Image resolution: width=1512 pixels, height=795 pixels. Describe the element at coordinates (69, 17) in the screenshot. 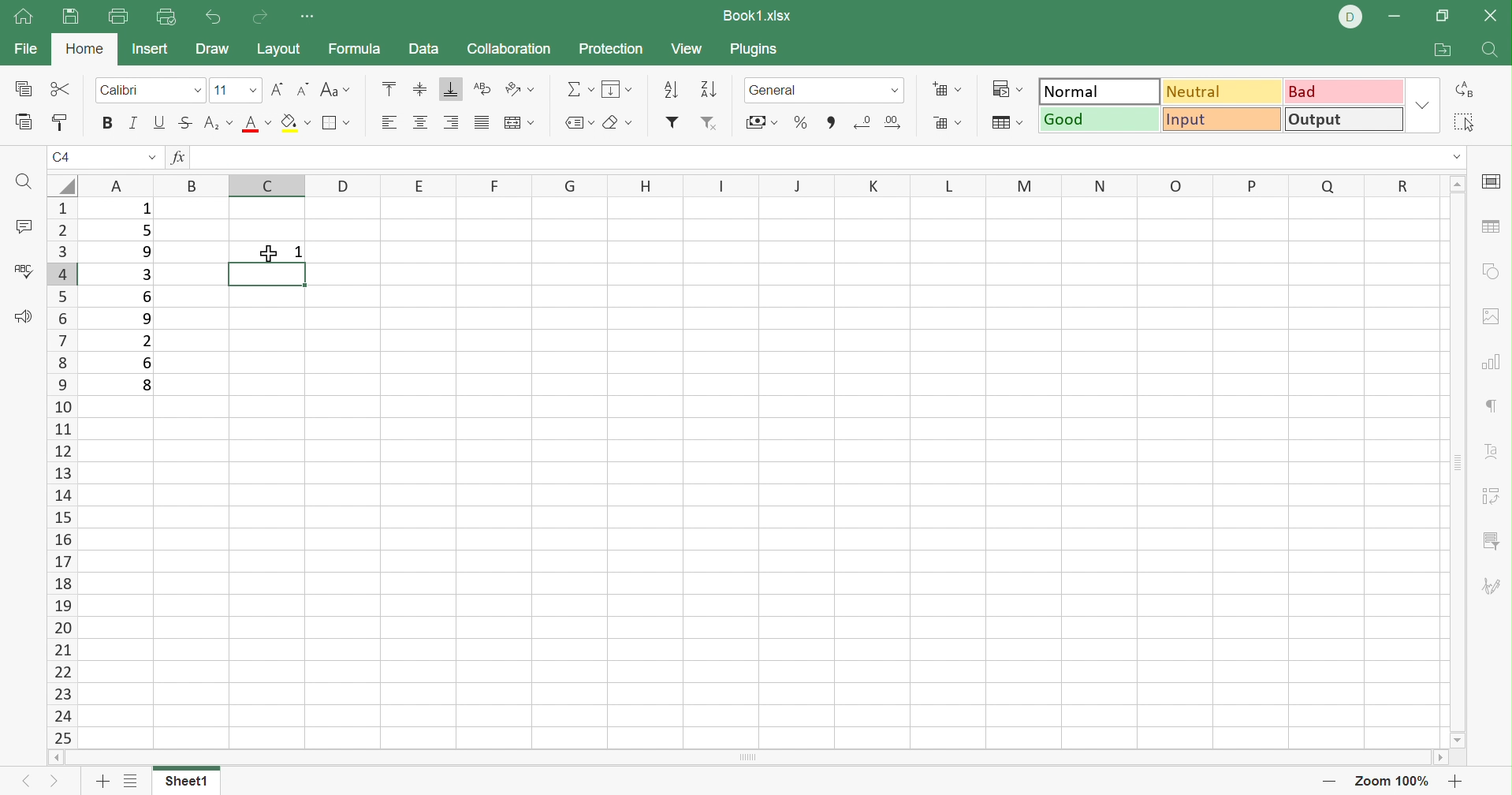

I see `Save` at that location.